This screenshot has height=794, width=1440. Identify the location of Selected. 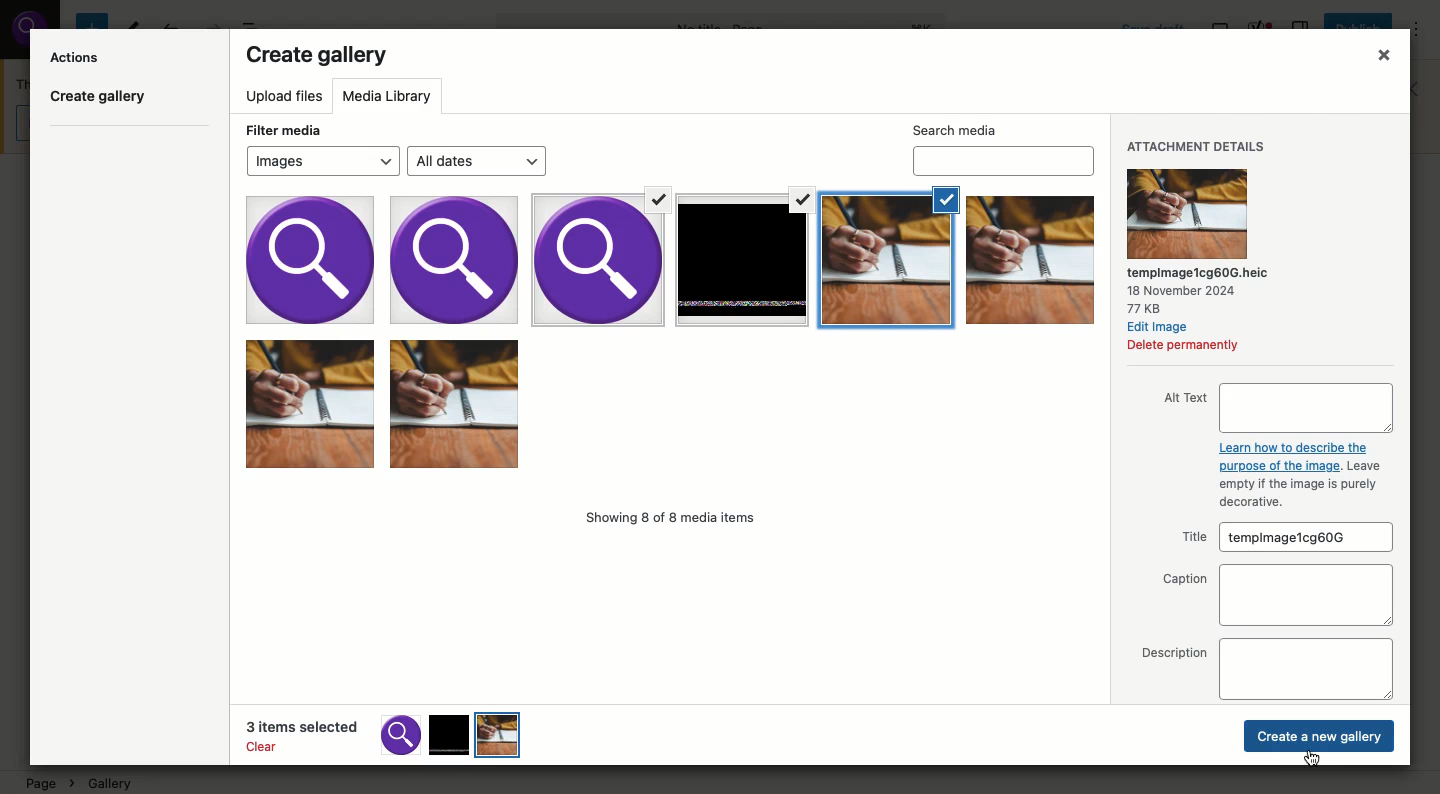
(674, 263).